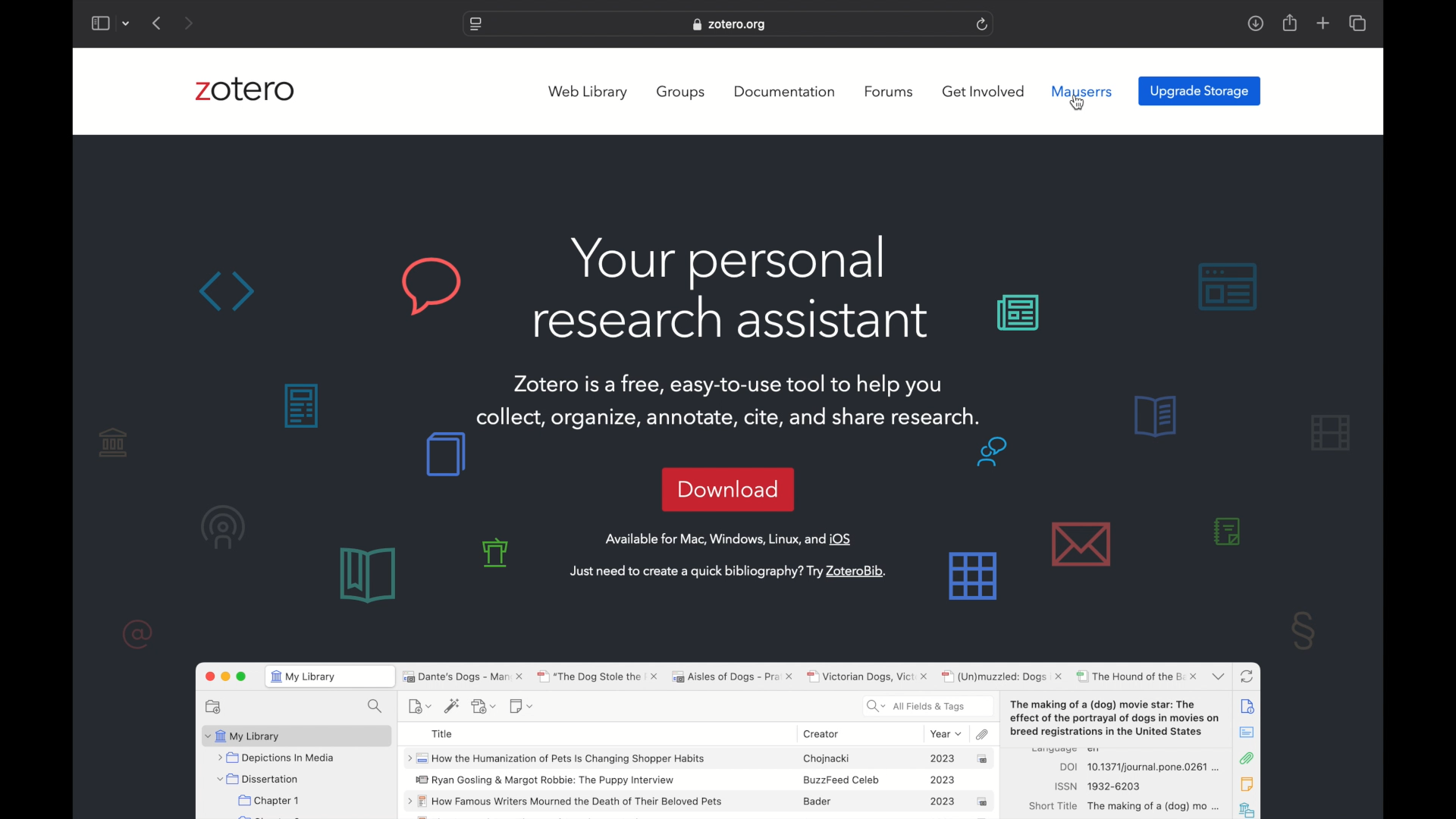 This screenshot has height=819, width=1456. What do you see at coordinates (1200, 92) in the screenshot?
I see `upgrade storage` at bounding box center [1200, 92].